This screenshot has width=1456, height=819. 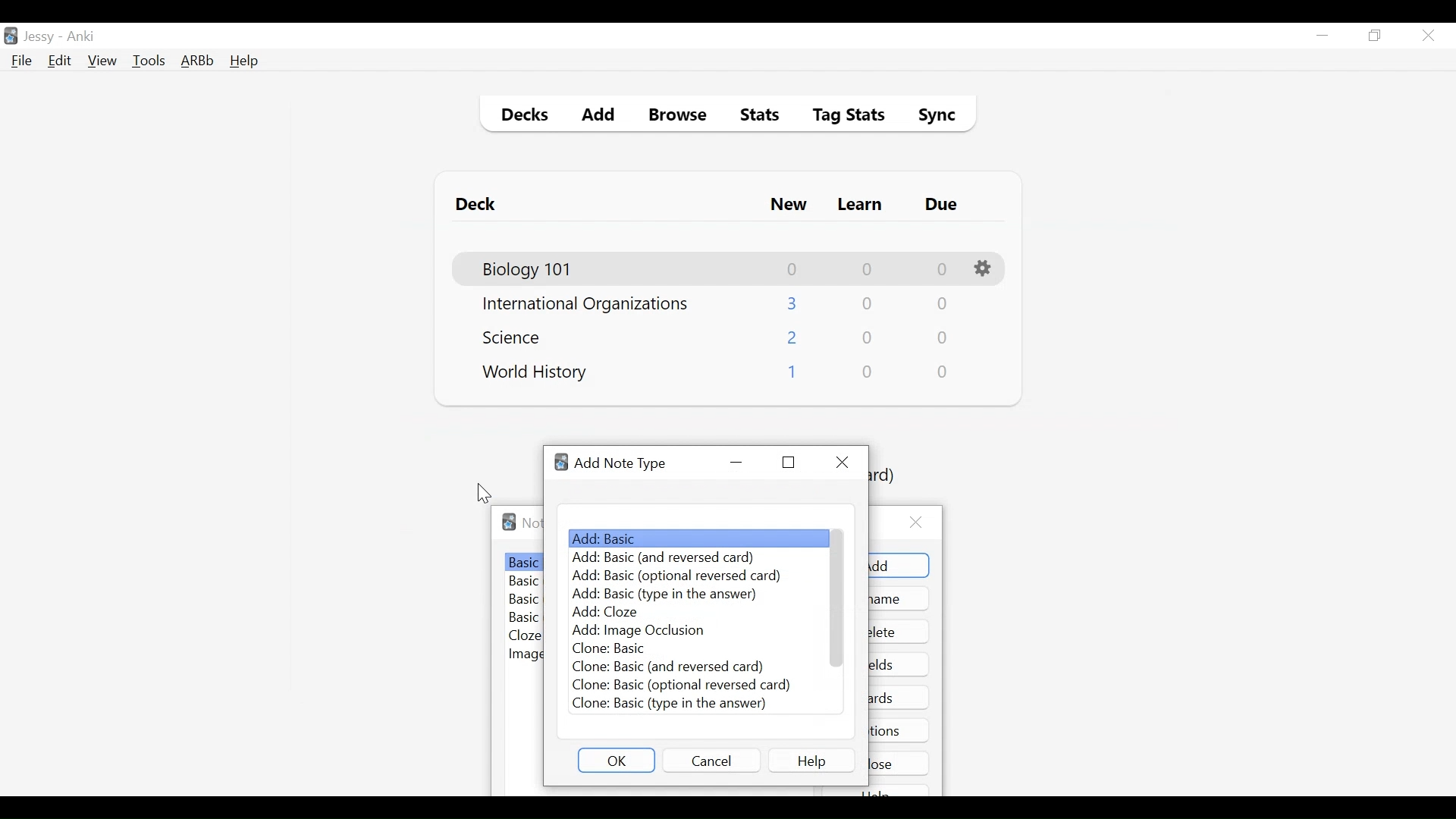 I want to click on Anki, so click(x=81, y=36).